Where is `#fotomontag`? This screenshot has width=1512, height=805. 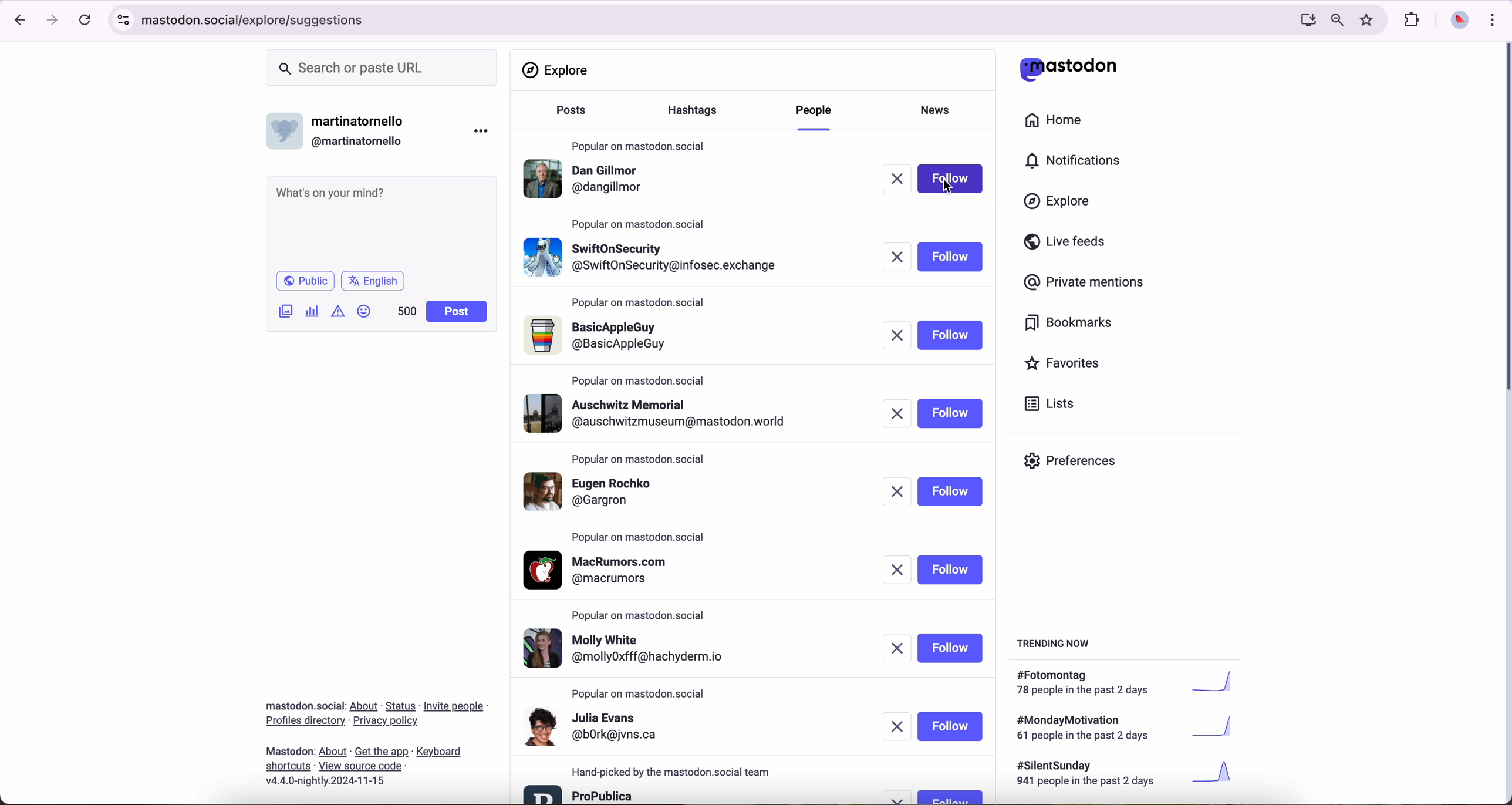
#fotomontag is located at coordinates (1133, 683).